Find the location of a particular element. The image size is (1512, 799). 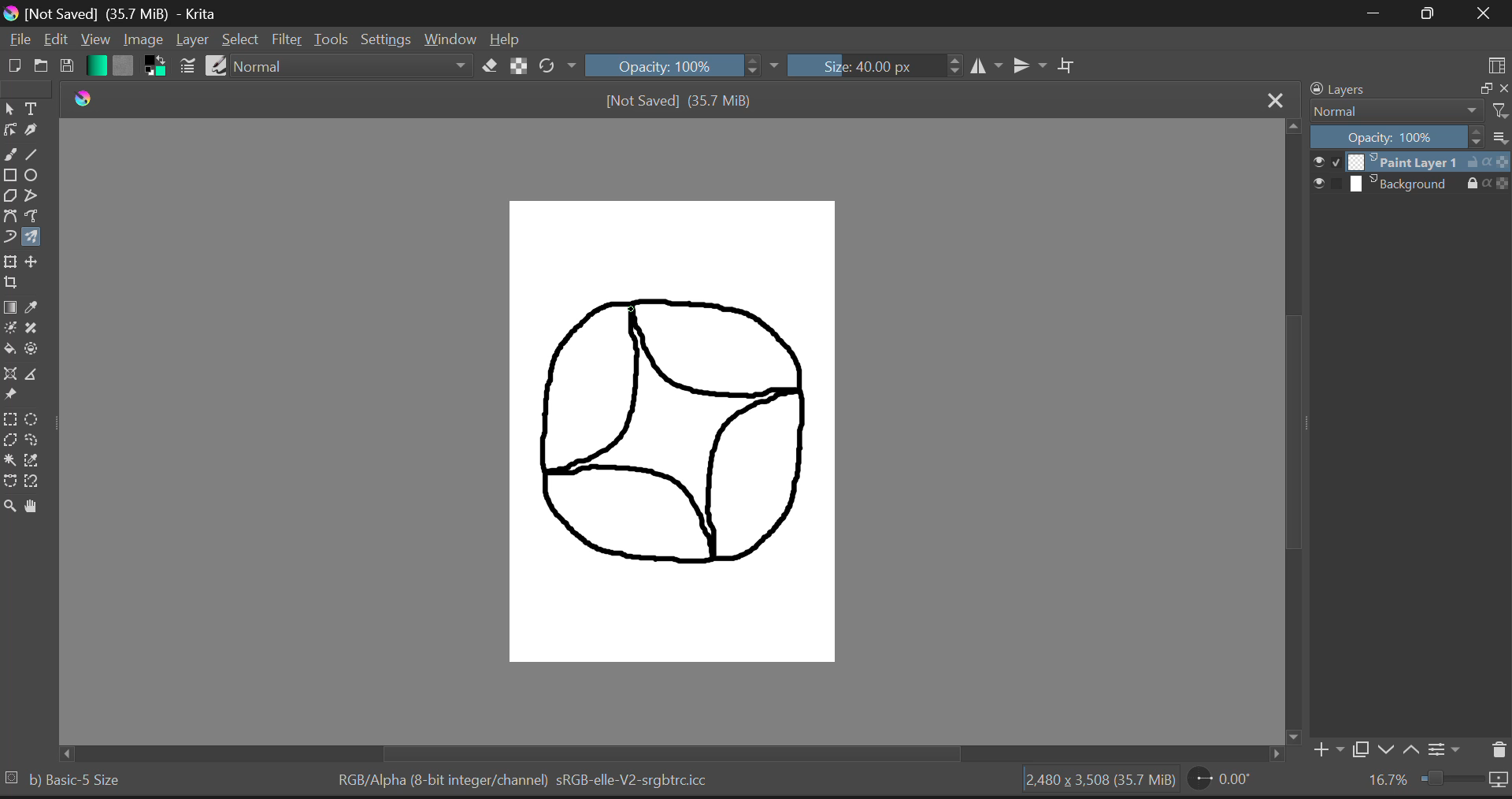

Background is located at coordinates (1410, 185).